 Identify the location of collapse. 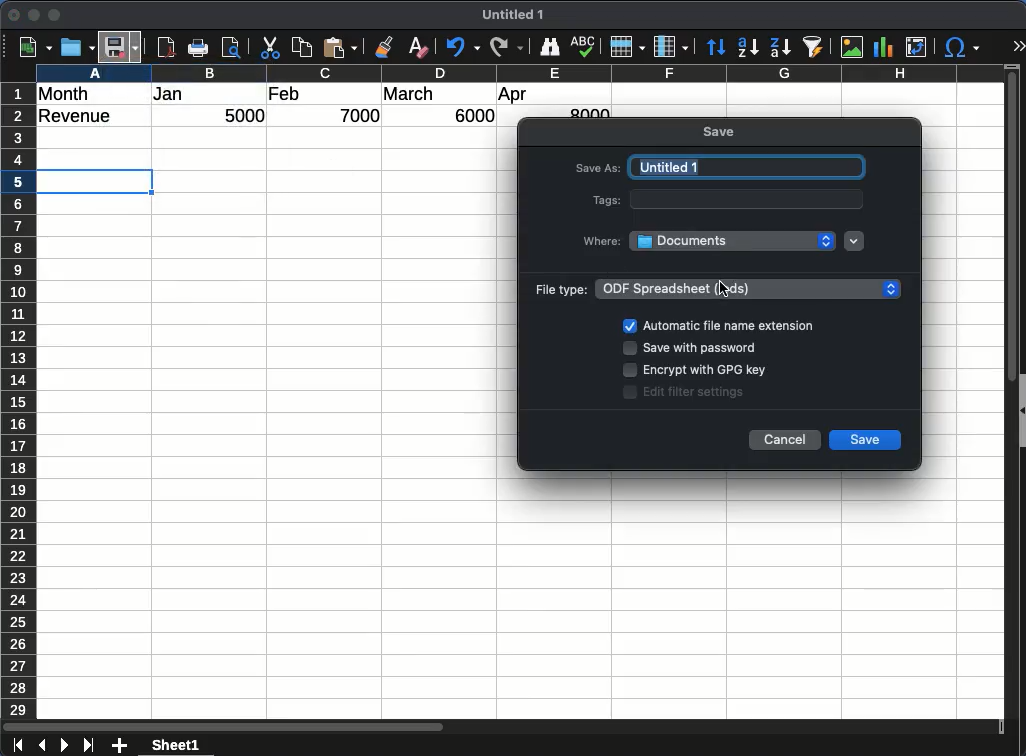
(1020, 408).